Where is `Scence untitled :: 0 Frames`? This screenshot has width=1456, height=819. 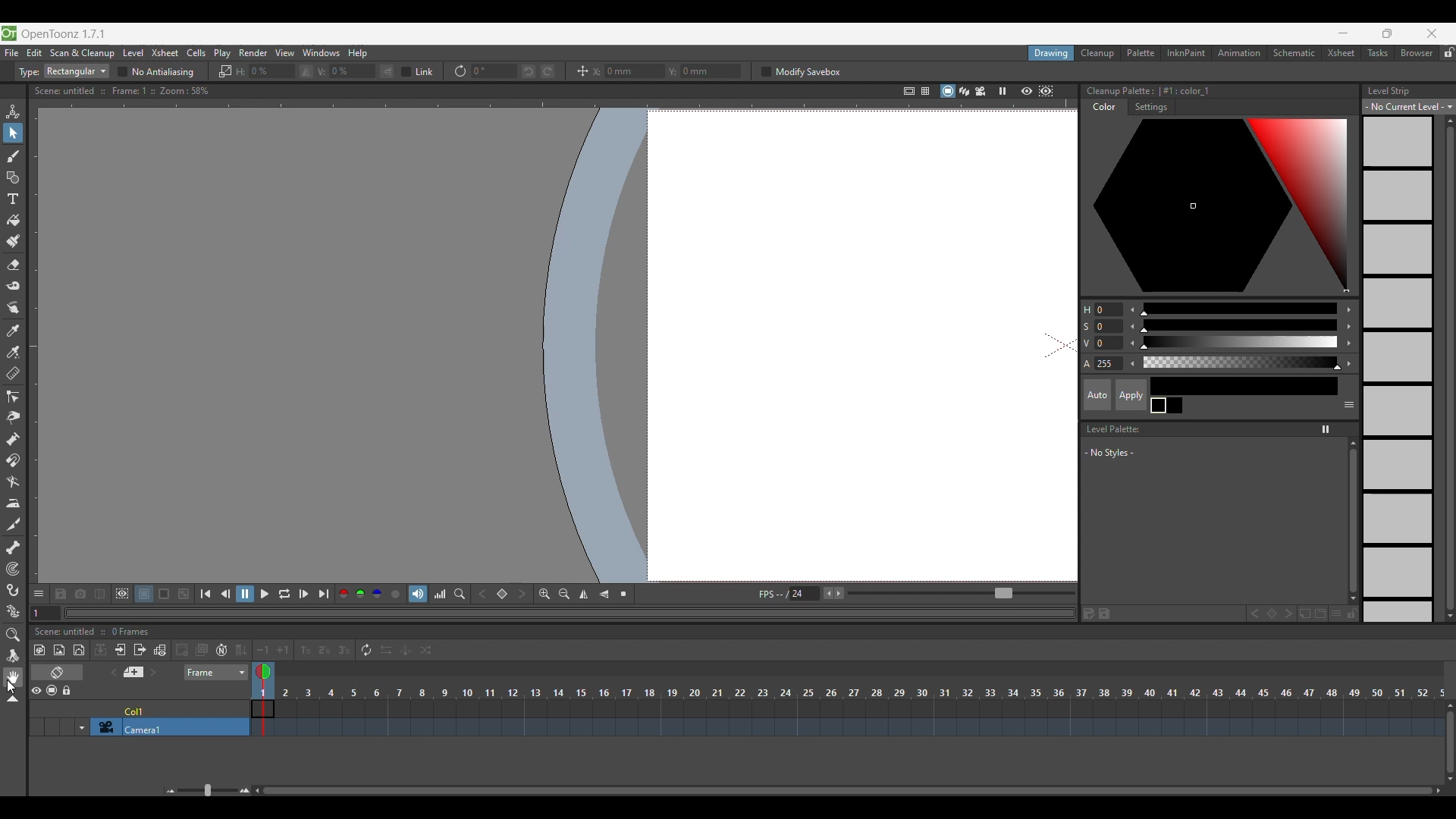 Scence untitled :: 0 Frames is located at coordinates (89, 632).